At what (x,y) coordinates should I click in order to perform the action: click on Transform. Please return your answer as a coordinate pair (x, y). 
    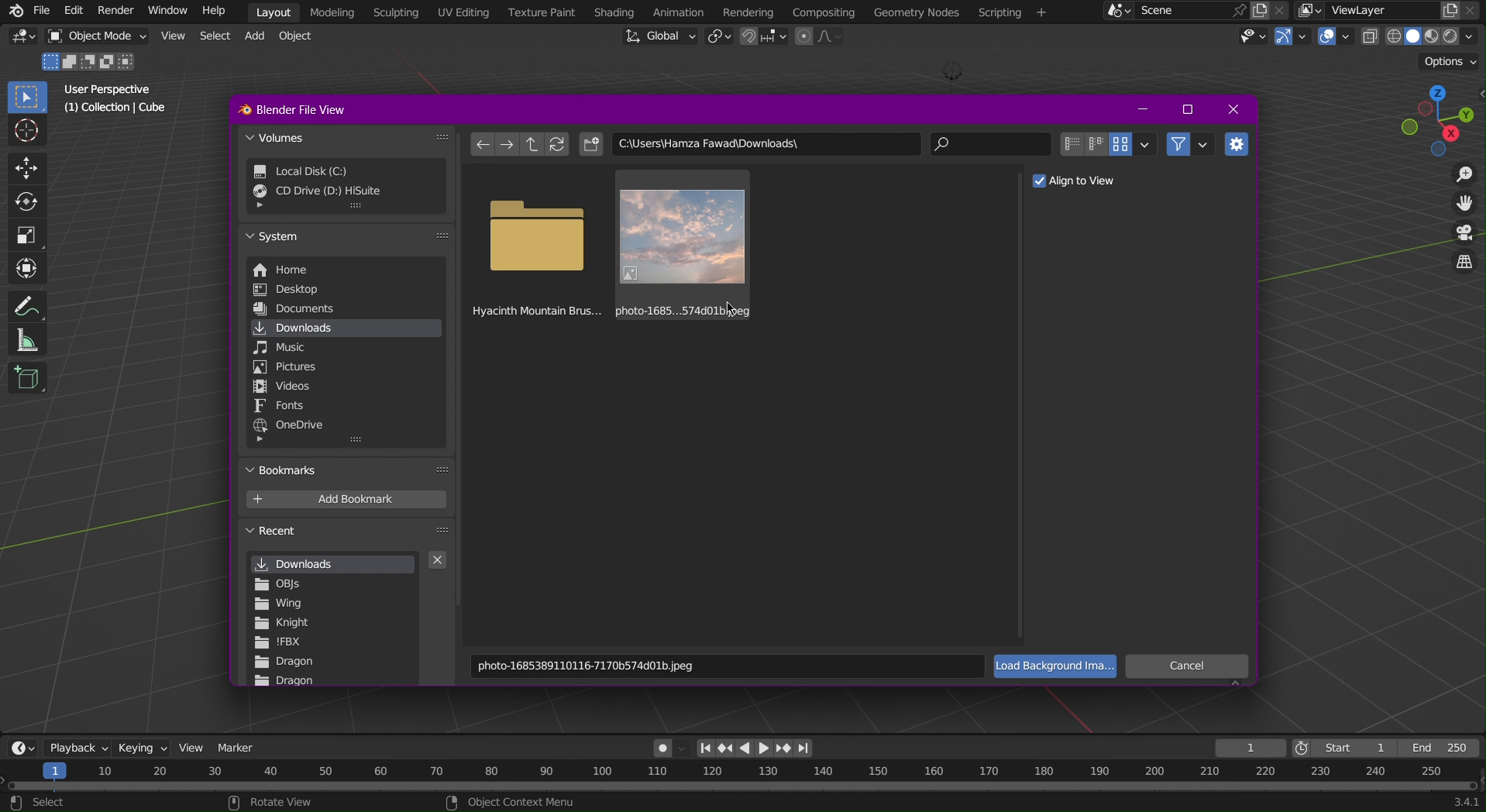
    Looking at the image, I should click on (25, 267).